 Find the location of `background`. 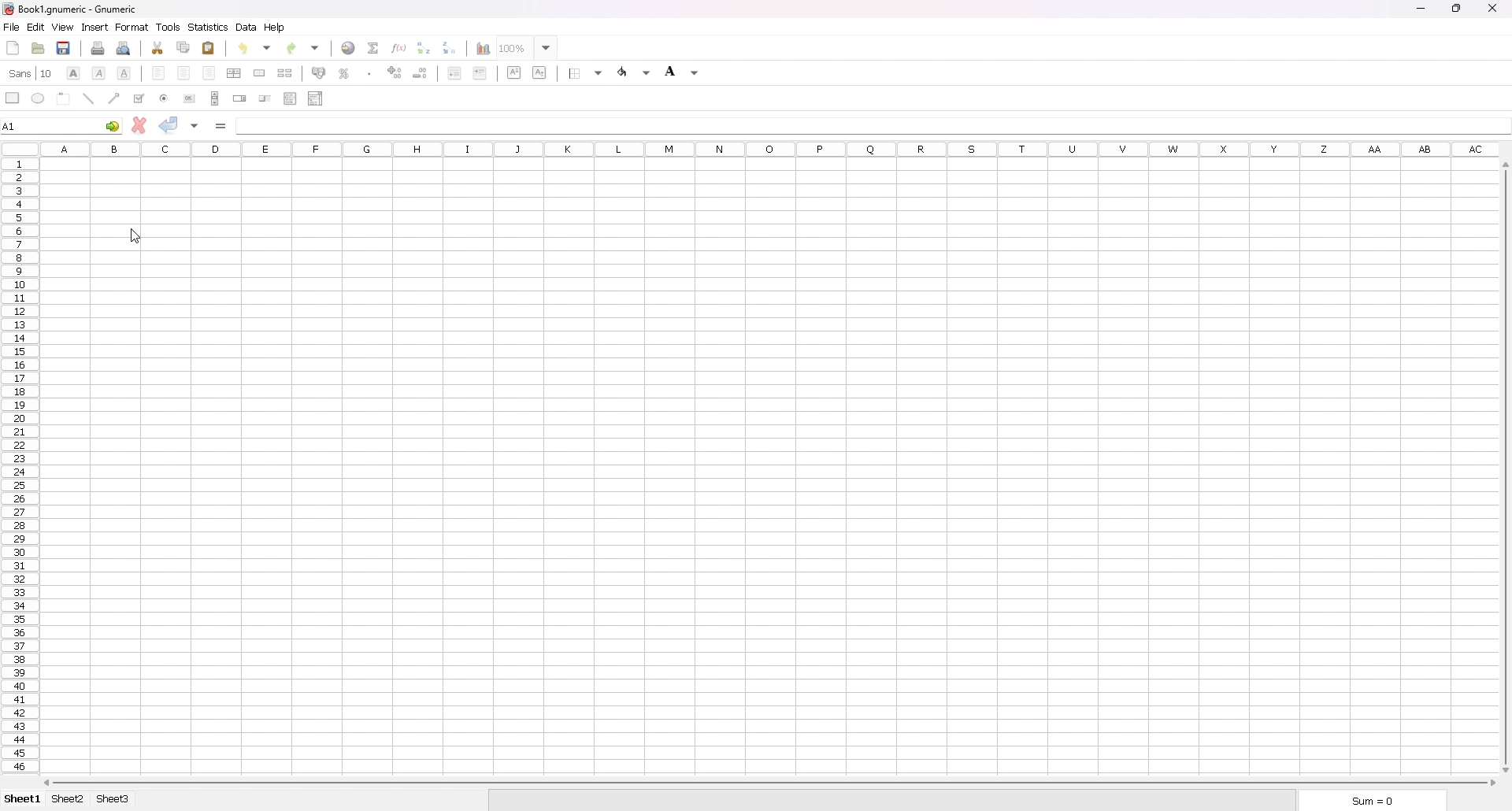

background is located at coordinates (682, 72).